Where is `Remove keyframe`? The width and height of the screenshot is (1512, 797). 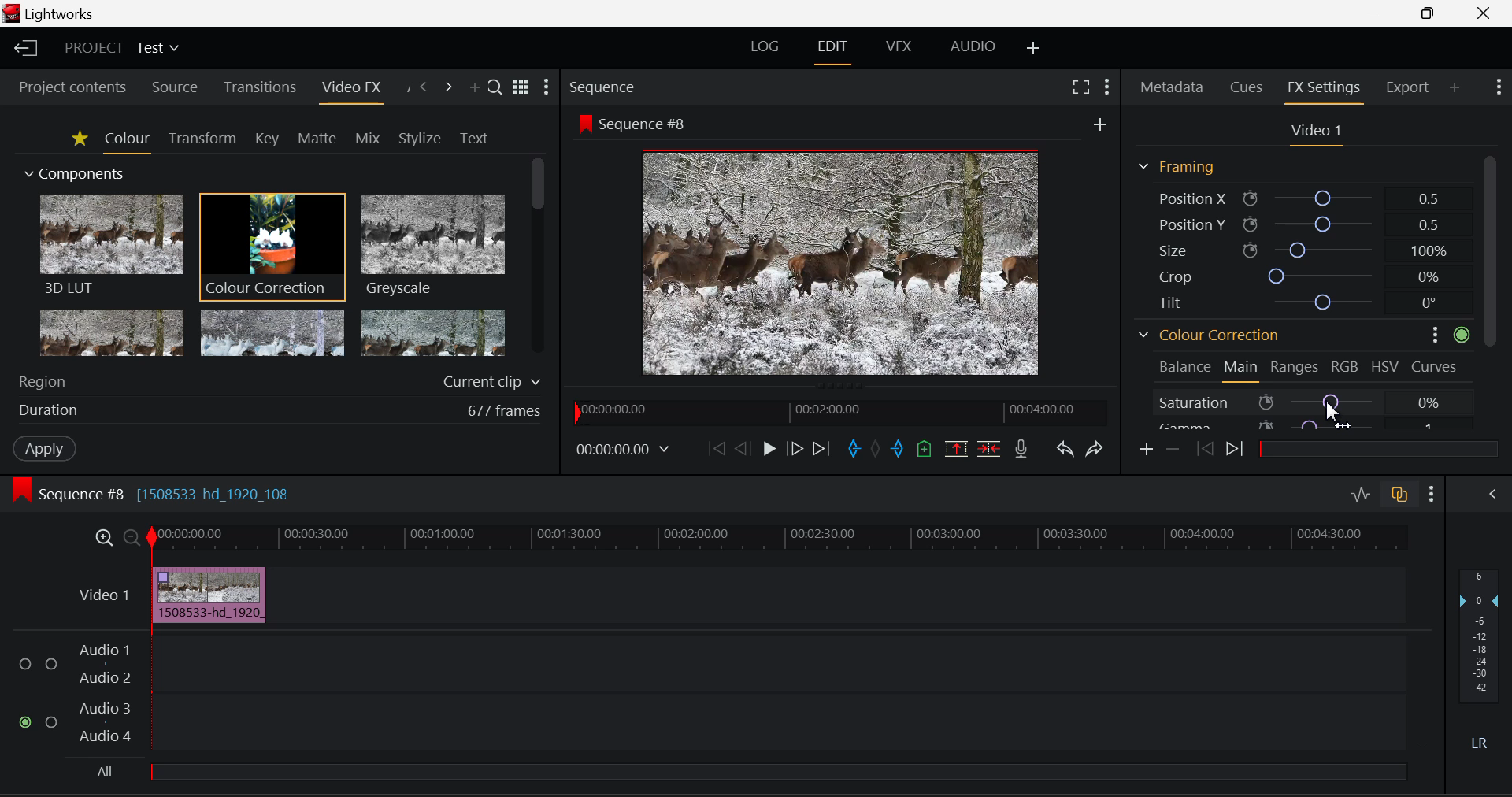
Remove keyframe is located at coordinates (1171, 451).